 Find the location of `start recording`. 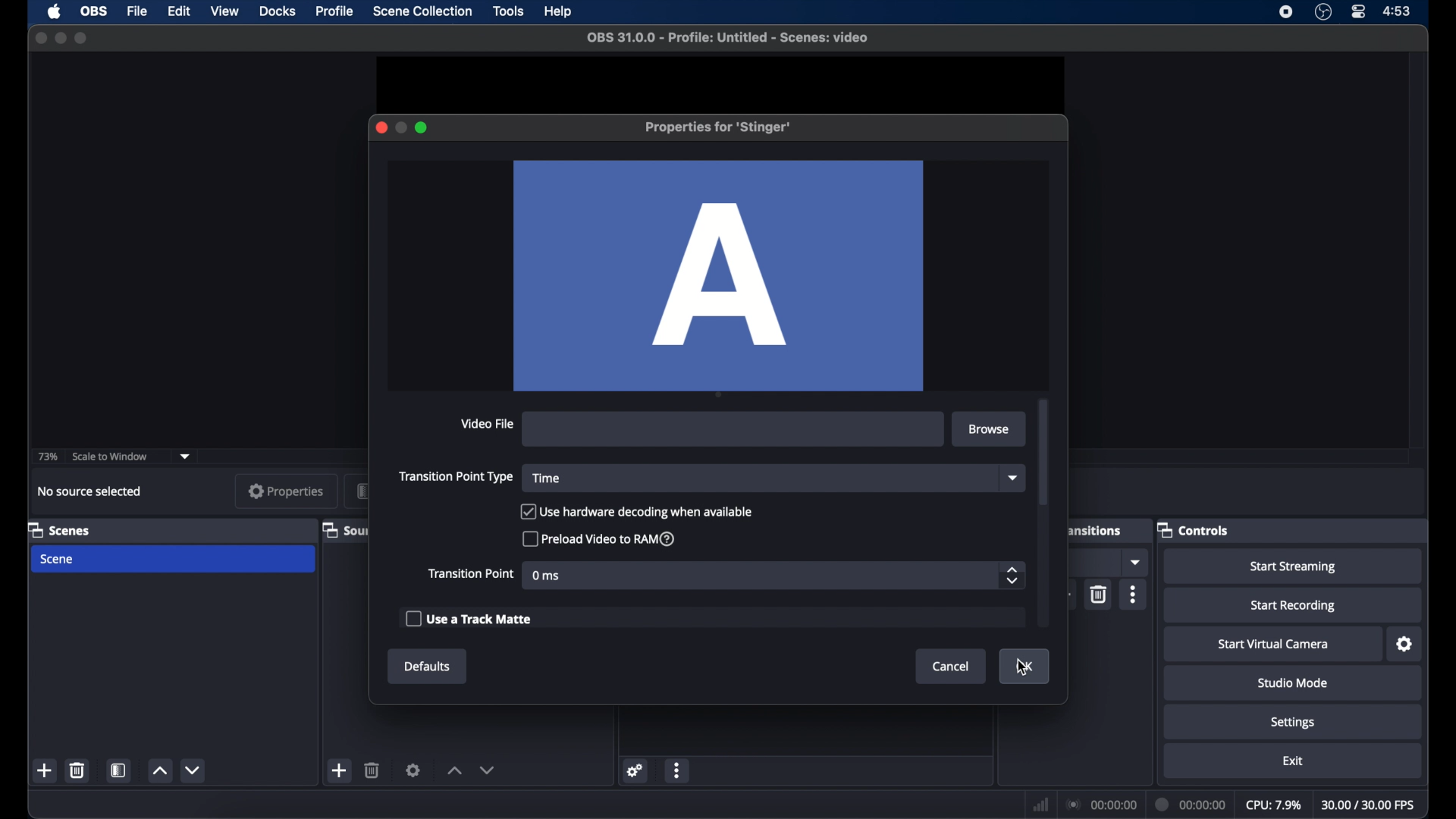

start recording is located at coordinates (1295, 606).